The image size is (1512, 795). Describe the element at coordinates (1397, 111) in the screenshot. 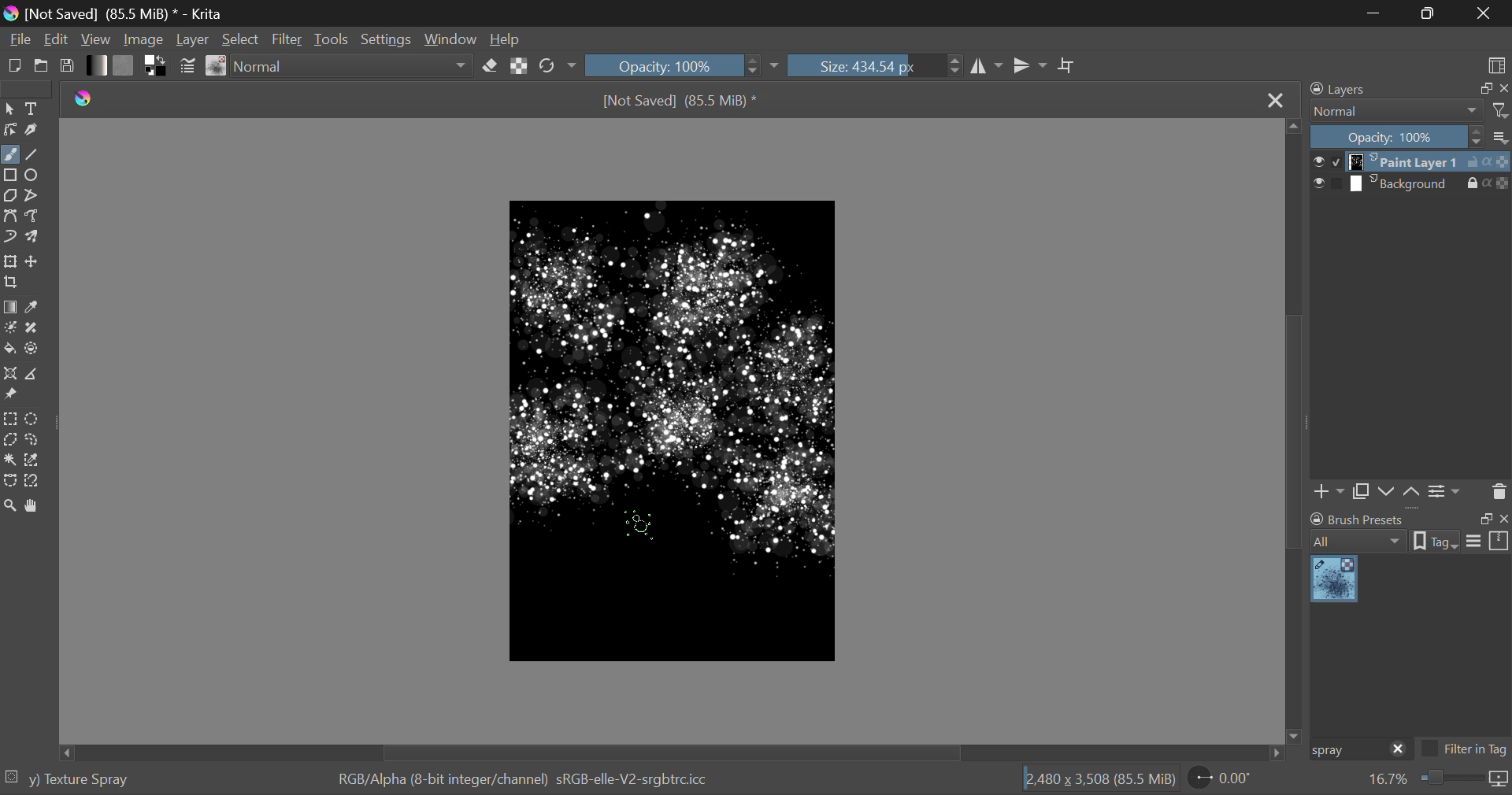

I see `normal` at that location.